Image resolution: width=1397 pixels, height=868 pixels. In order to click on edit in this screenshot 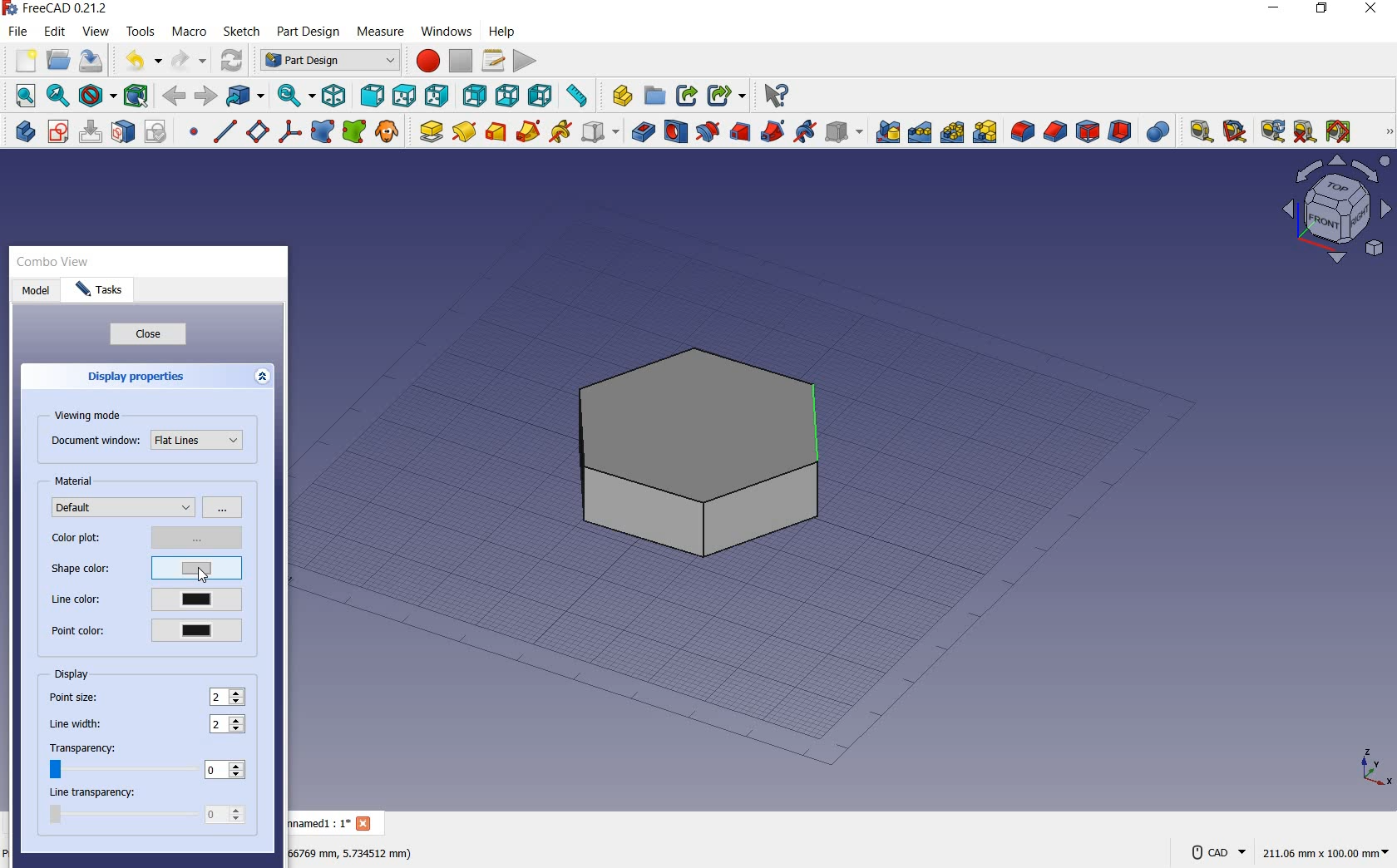, I will do `click(53, 31)`.